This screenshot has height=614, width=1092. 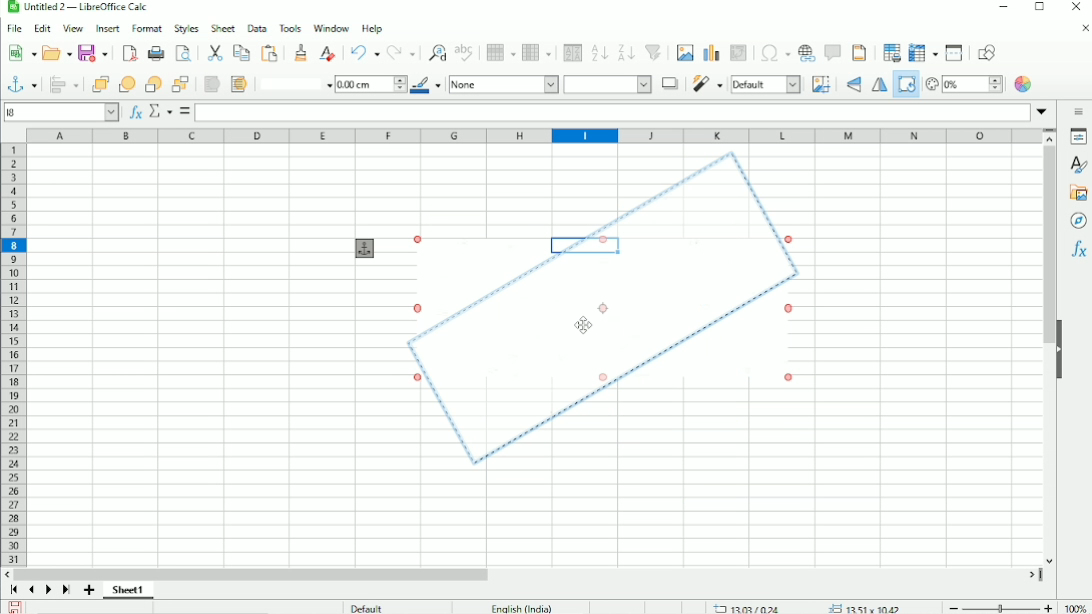 What do you see at coordinates (892, 52) in the screenshot?
I see `Define print area` at bounding box center [892, 52].